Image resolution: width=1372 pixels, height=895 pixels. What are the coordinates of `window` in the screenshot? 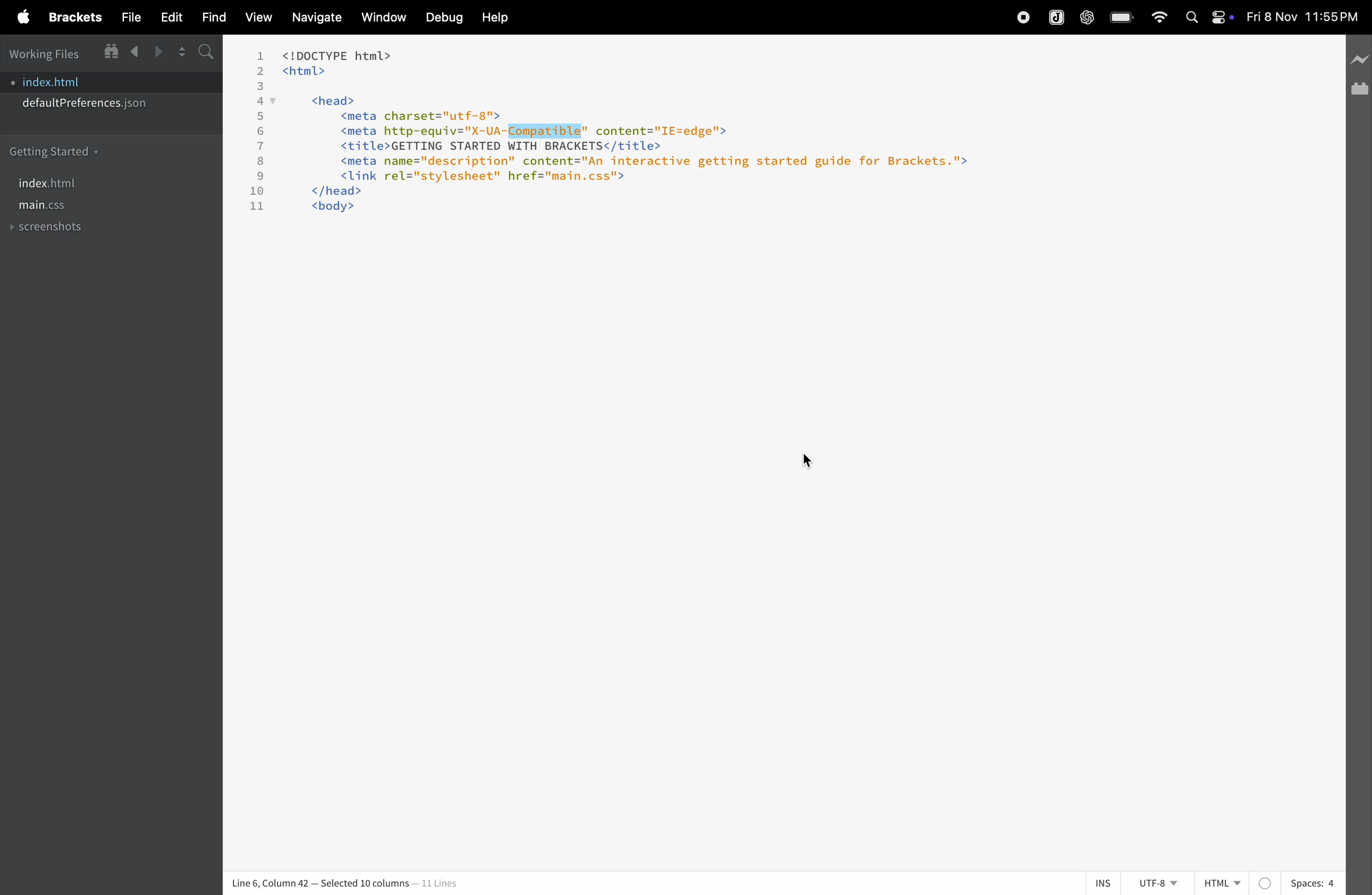 It's located at (380, 19).